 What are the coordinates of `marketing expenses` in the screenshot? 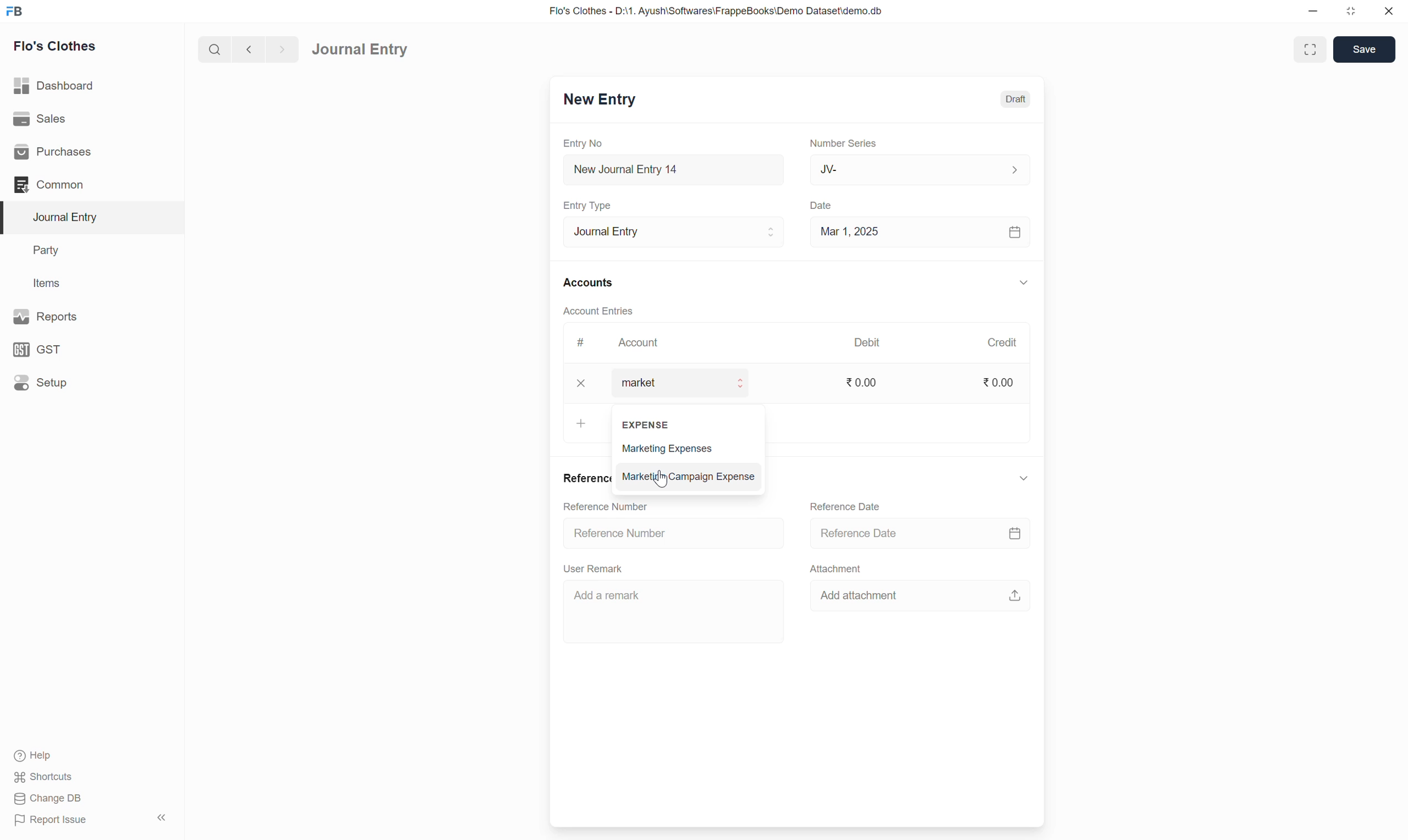 It's located at (687, 450).